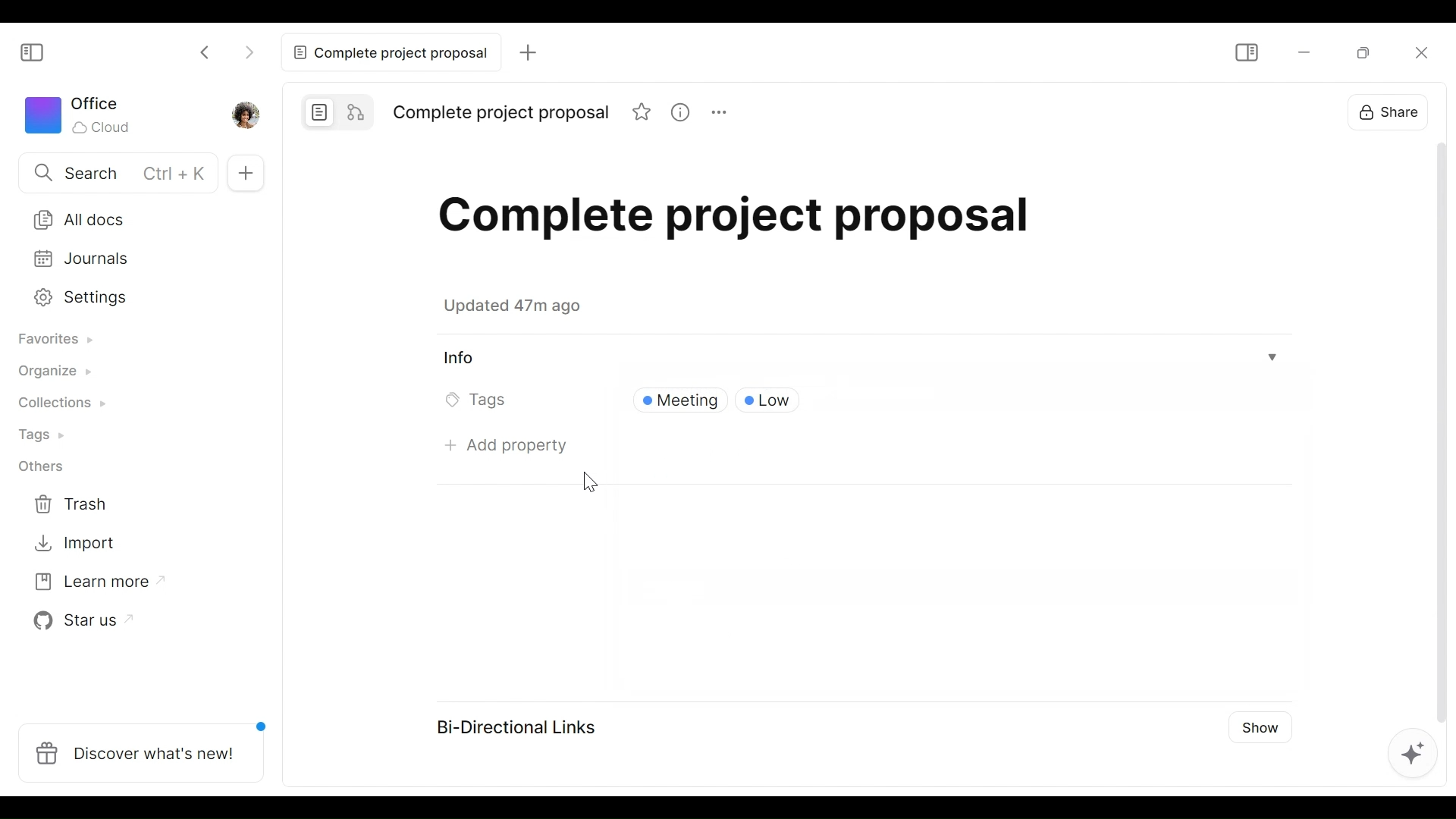 The image size is (1456, 819). What do you see at coordinates (48, 469) in the screenshot?
I see `Others` at bounding box center [48, 469].